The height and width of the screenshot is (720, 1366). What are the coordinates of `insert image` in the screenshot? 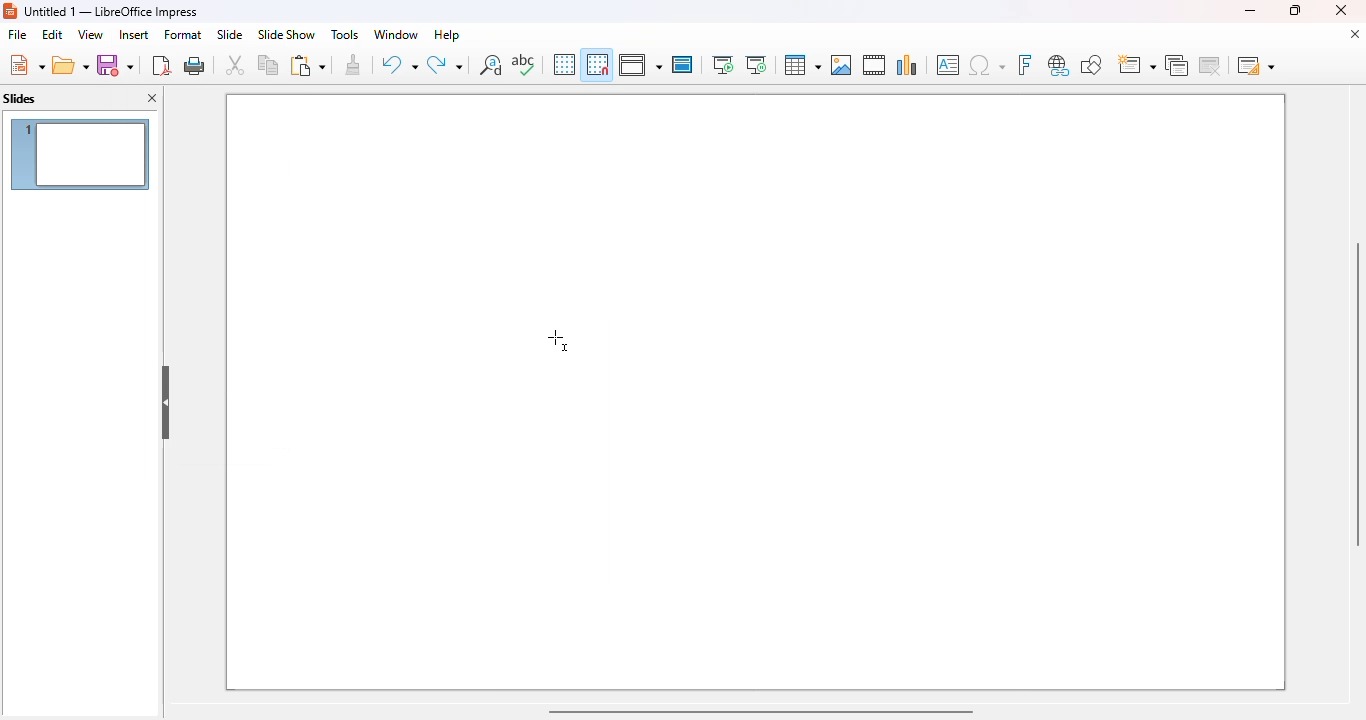 It's located at (841, 65).